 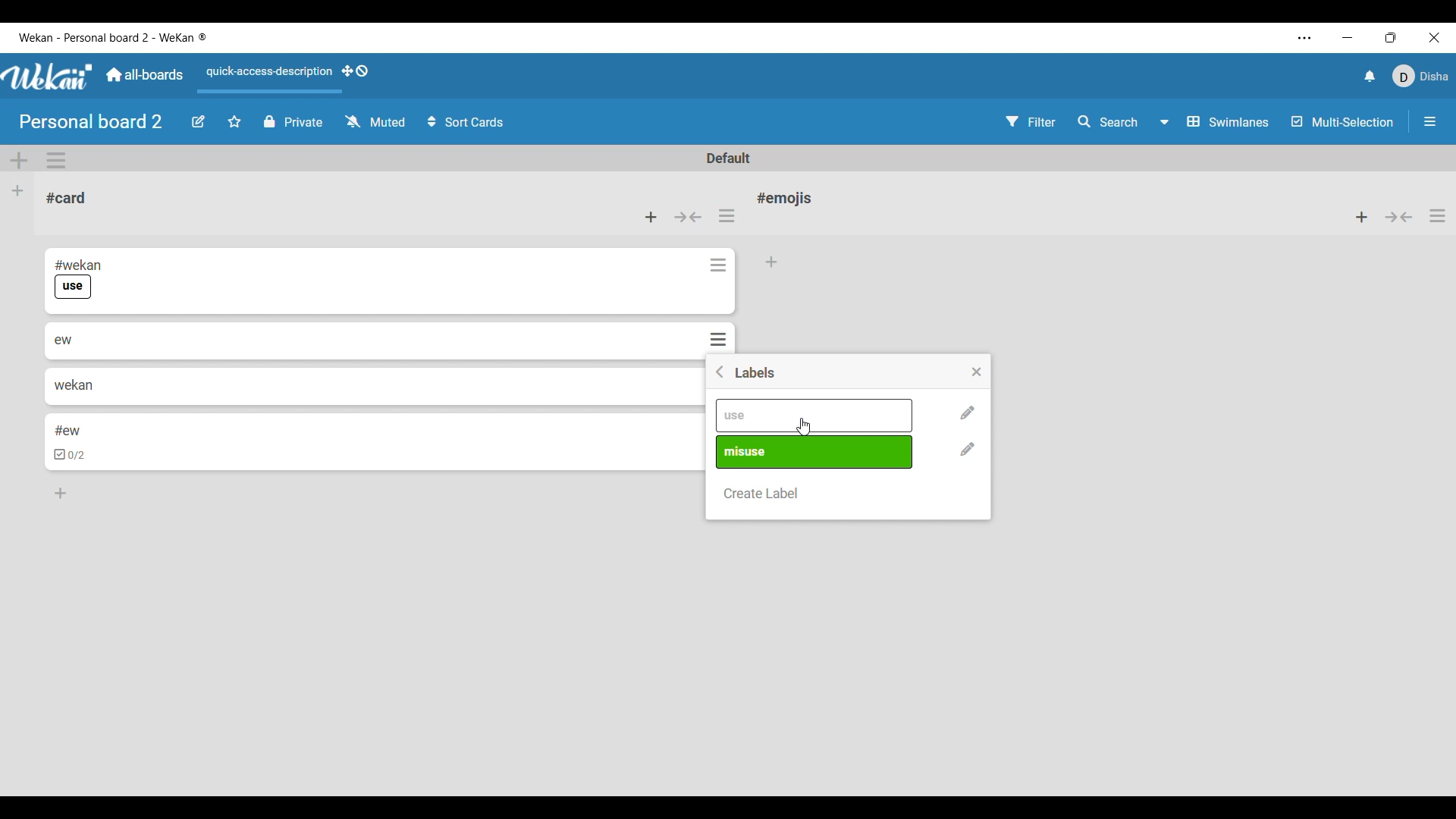 What do you see at coordinates (1361, 217) in the screenshot?
I see `Add card to top of list` at bounding box center [1361, 217].